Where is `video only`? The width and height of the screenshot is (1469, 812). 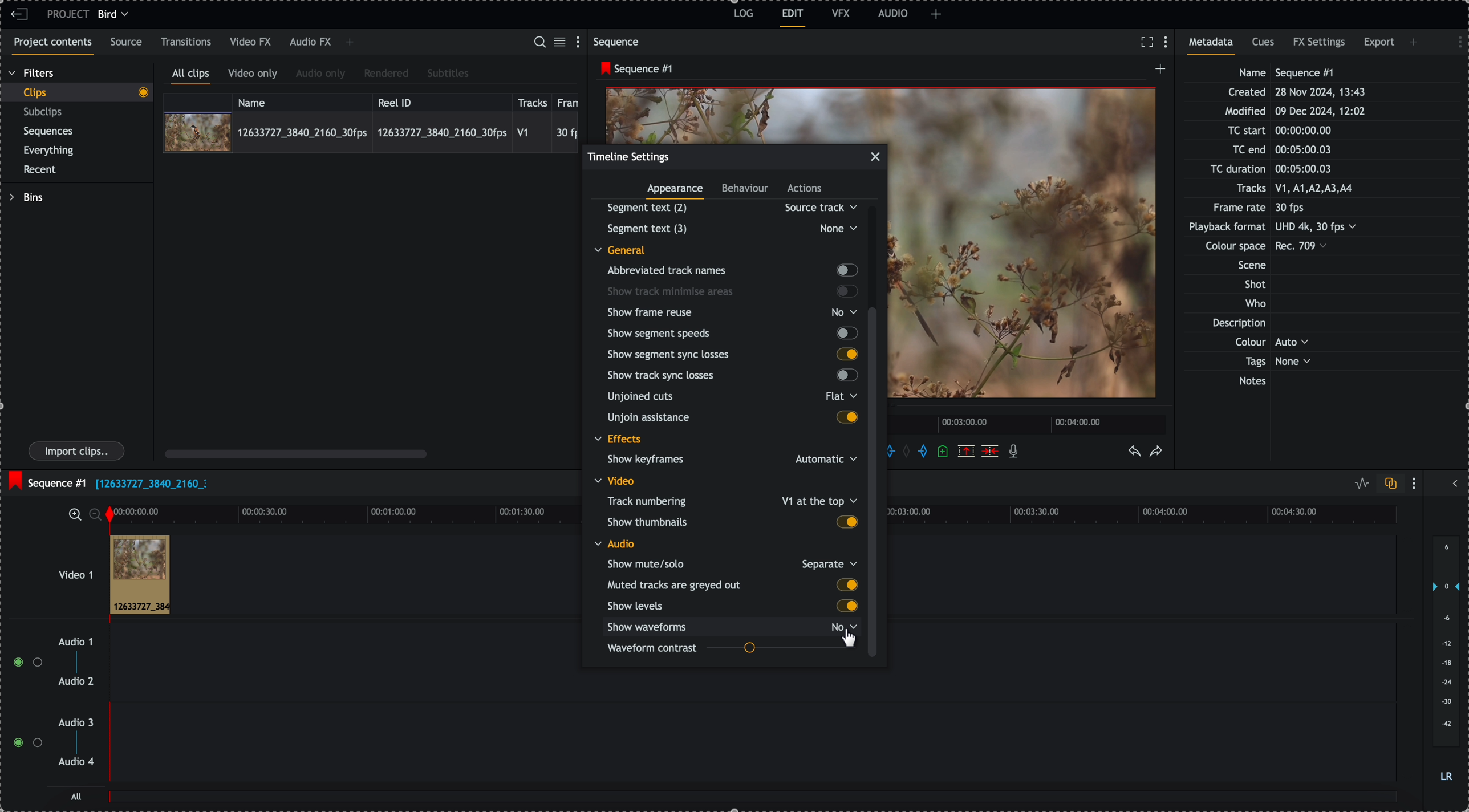
video only is located at coordinates (255, 75).